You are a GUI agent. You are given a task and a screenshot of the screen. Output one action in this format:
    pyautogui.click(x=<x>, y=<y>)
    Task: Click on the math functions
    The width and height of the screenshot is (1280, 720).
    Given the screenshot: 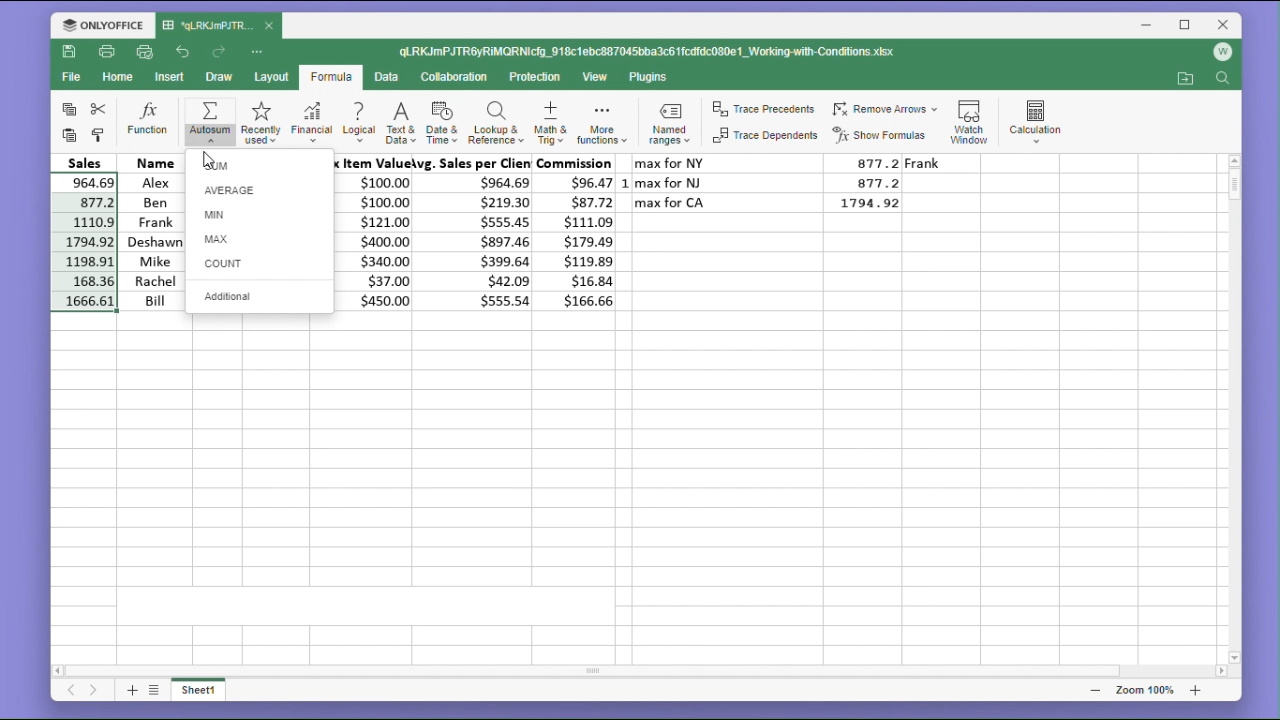 What is the action you would take?
    pyautogui.click(x=601, y=125)
    